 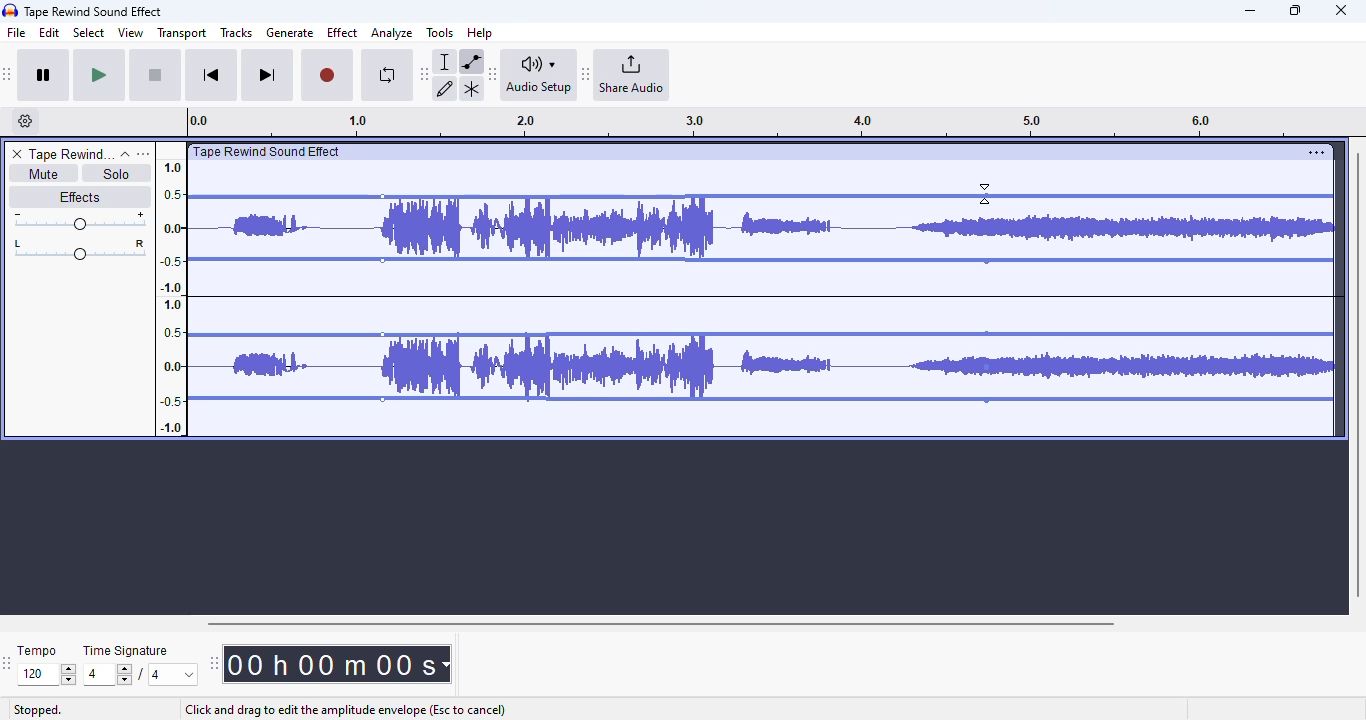 What do you see at coordinates (539, 74) in the screenshot?
I see `audio setup` at bounding box center [539, 74].